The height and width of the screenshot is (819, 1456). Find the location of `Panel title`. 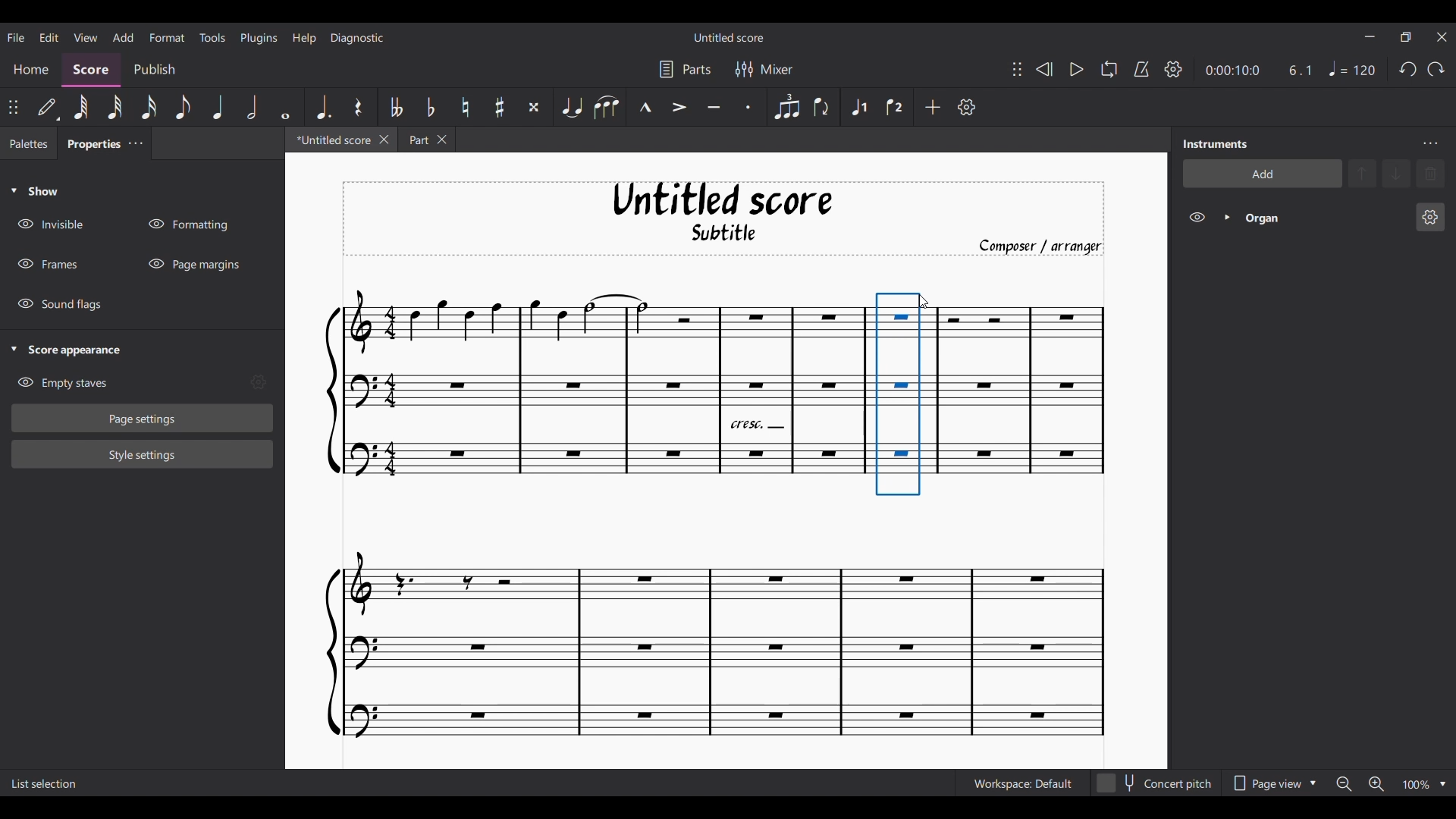

Panel title is located at coordinates (1216, 144).